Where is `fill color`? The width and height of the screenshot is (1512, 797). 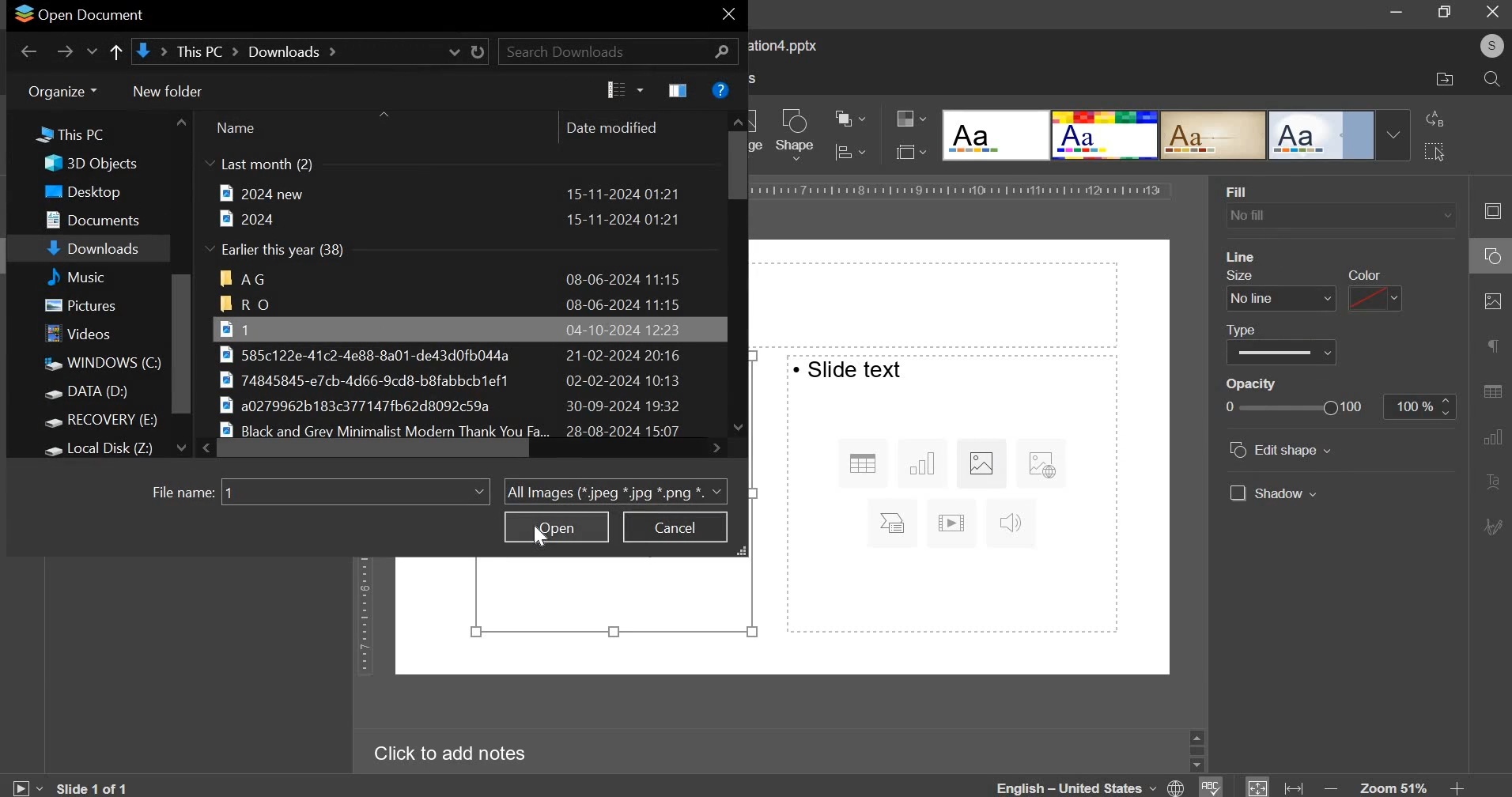 fill color is located at coordinates (1253, 255).